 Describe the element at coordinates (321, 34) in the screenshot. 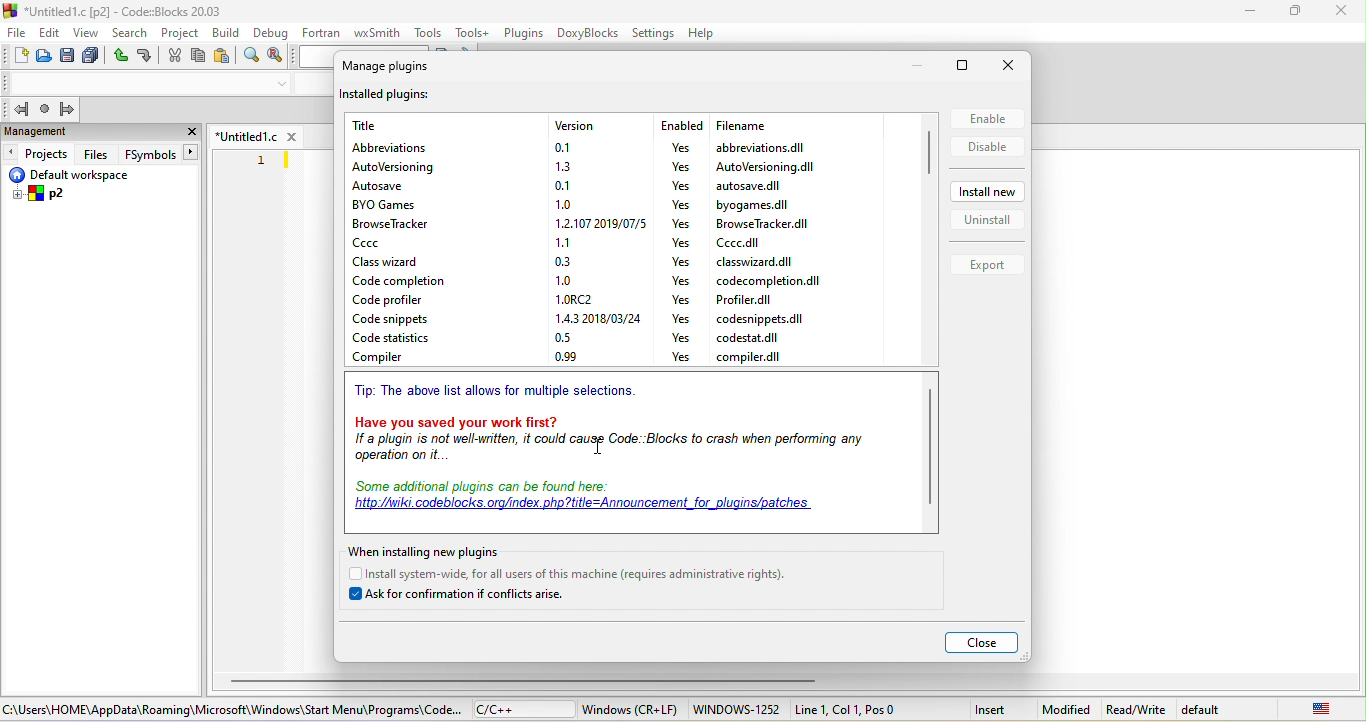

I see `fortran` at that location.